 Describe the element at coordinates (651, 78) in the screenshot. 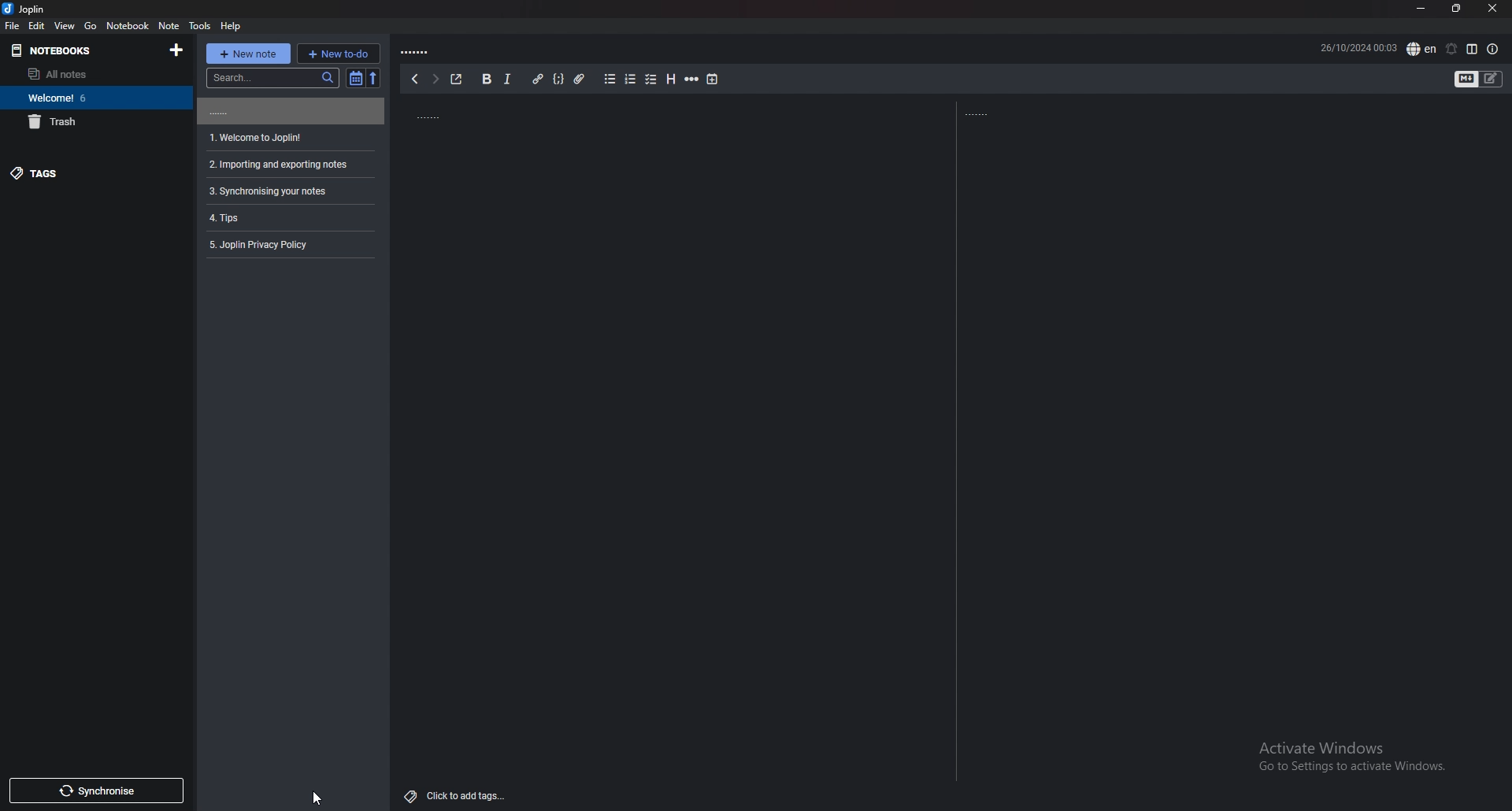

I see `checkbox` at that location.